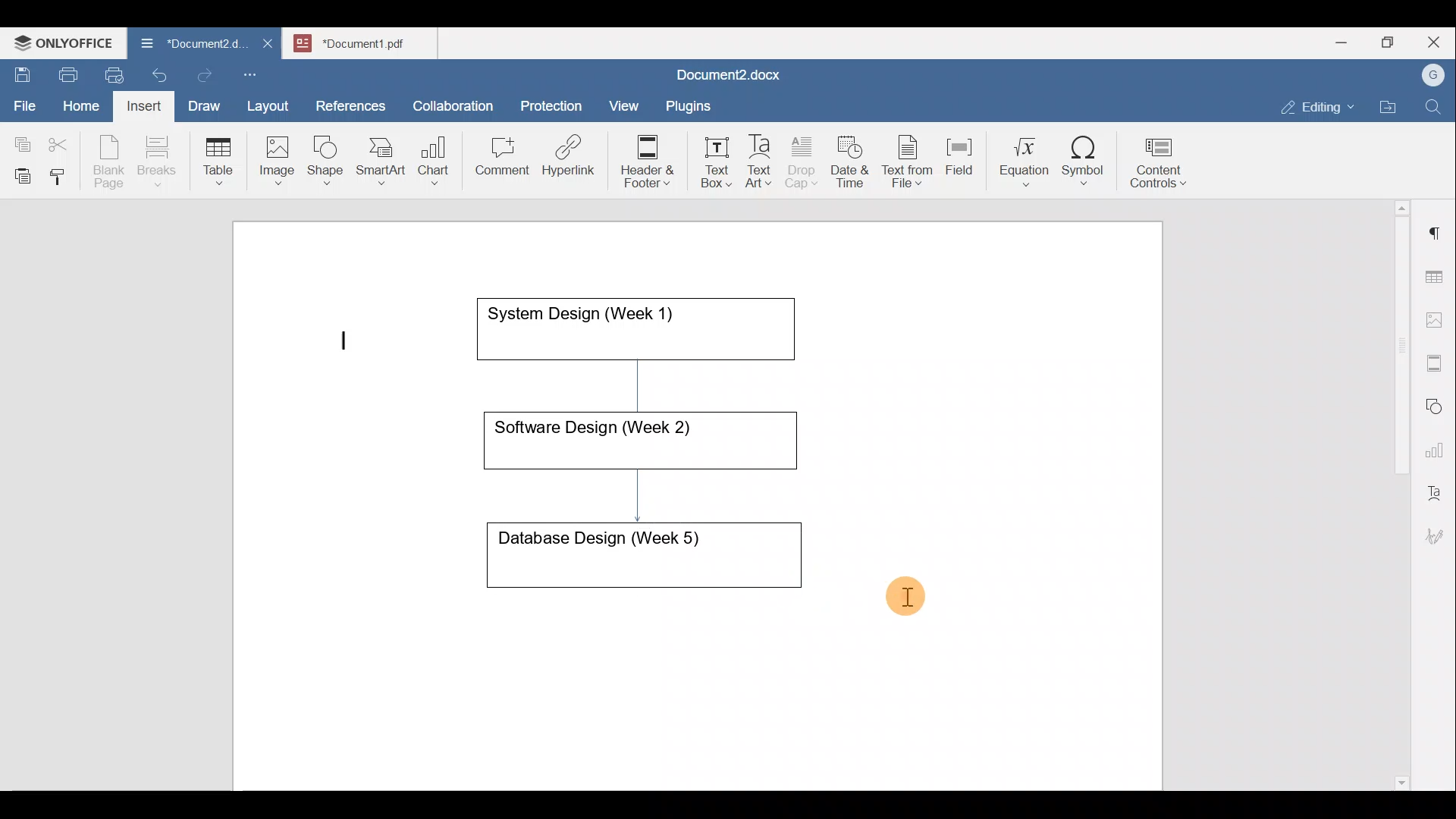 This screenshot has height=819, width=1456. I want to click on Header & footer, so click(642, 160).